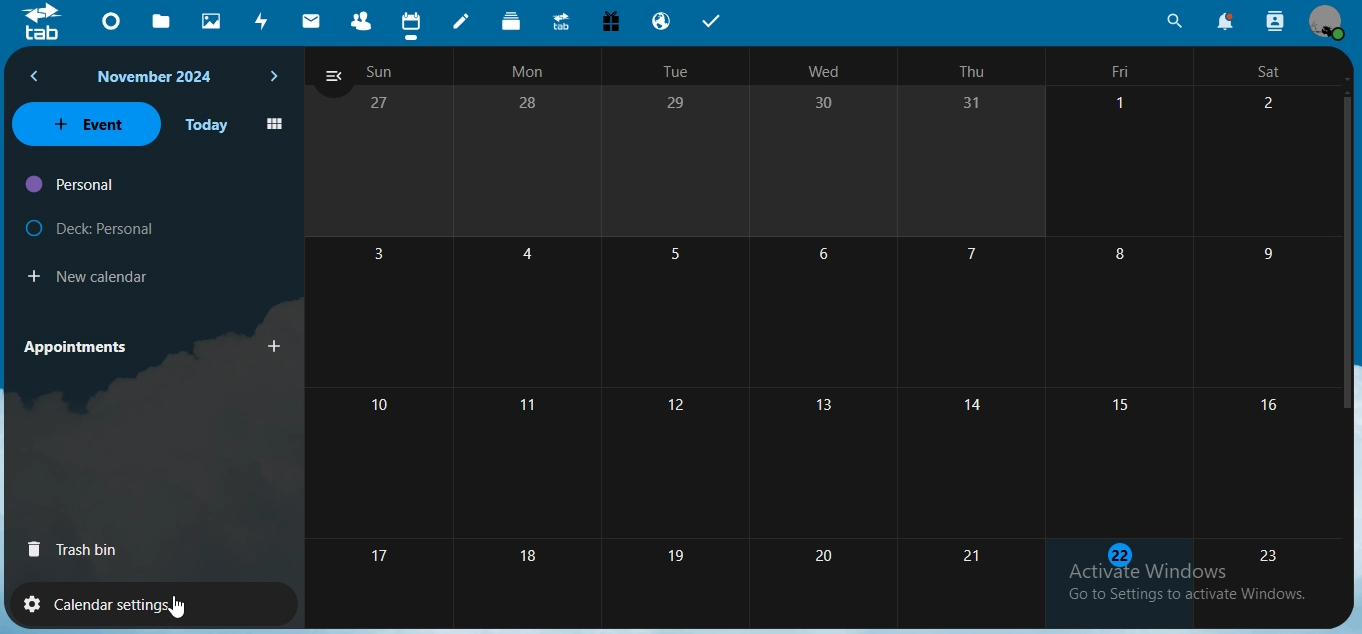 The width and height of the screenshot is (1362, 634). Describe the element at coordinates (166, 22) in the screenshot. I see `files` at that location.